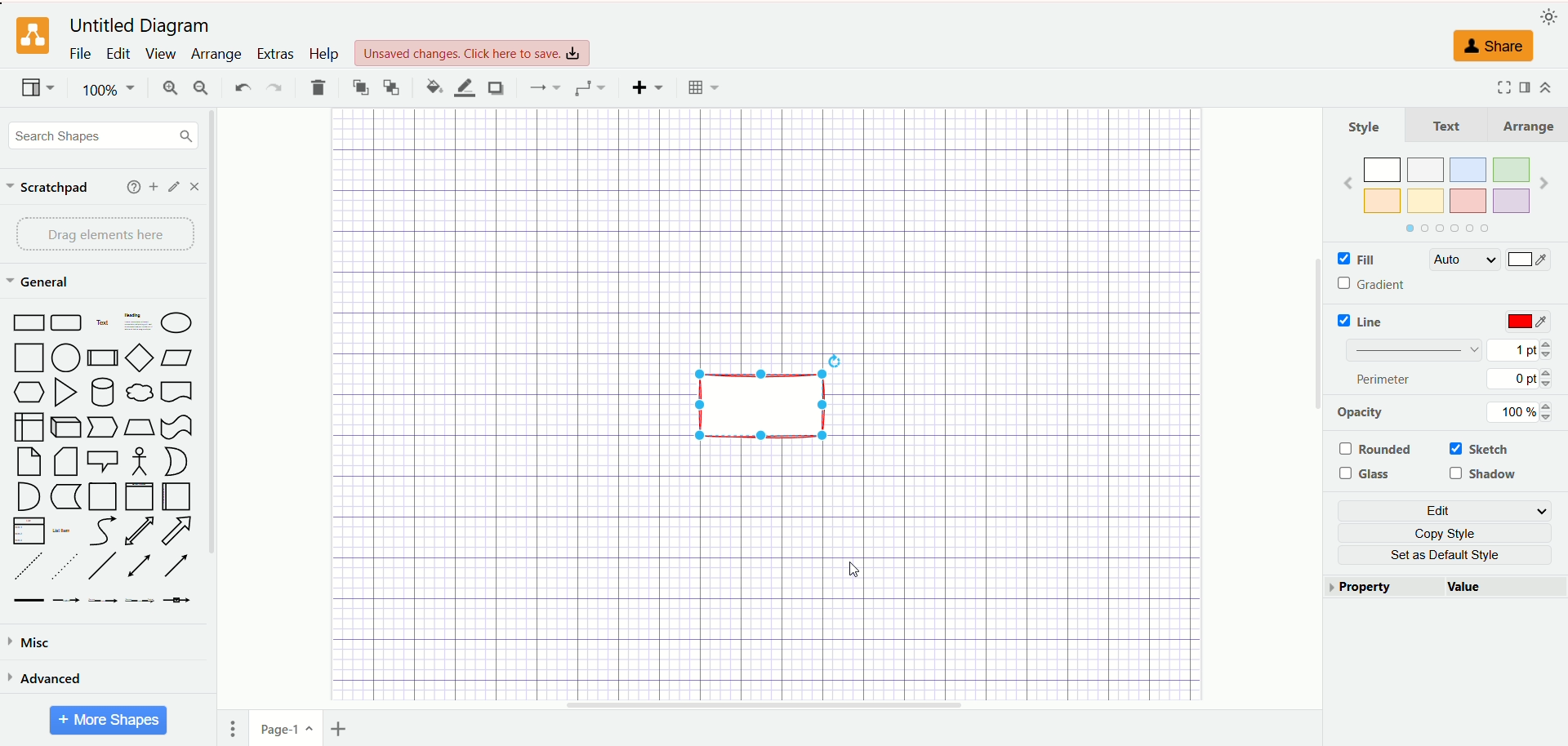  What do you see at coordinates (274, 87) in the screenshot?
I see `redo` at bounding box center [274, 87].